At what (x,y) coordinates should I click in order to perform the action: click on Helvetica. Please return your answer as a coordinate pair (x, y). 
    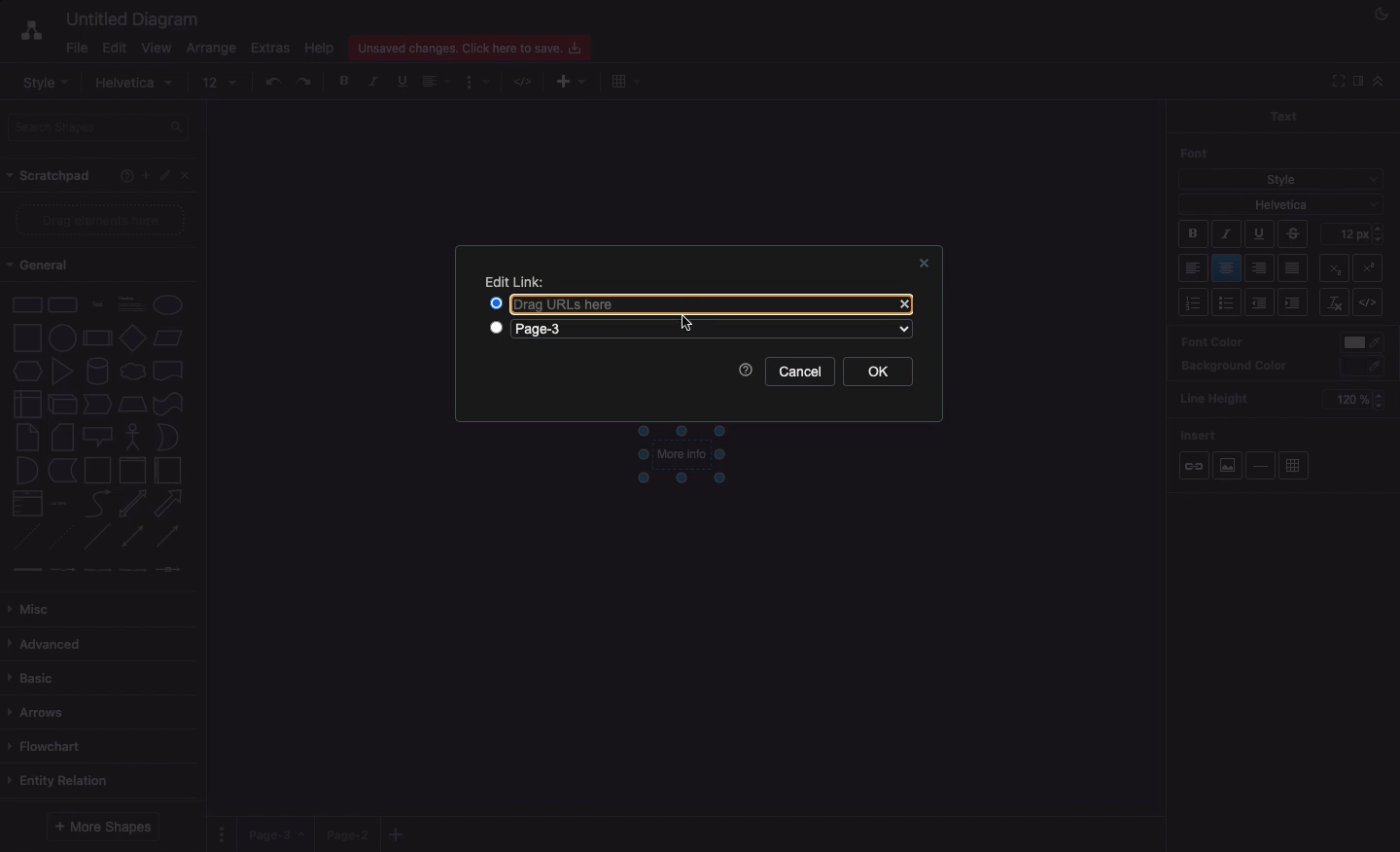
    Looking at the image, I should click on (137, 84).